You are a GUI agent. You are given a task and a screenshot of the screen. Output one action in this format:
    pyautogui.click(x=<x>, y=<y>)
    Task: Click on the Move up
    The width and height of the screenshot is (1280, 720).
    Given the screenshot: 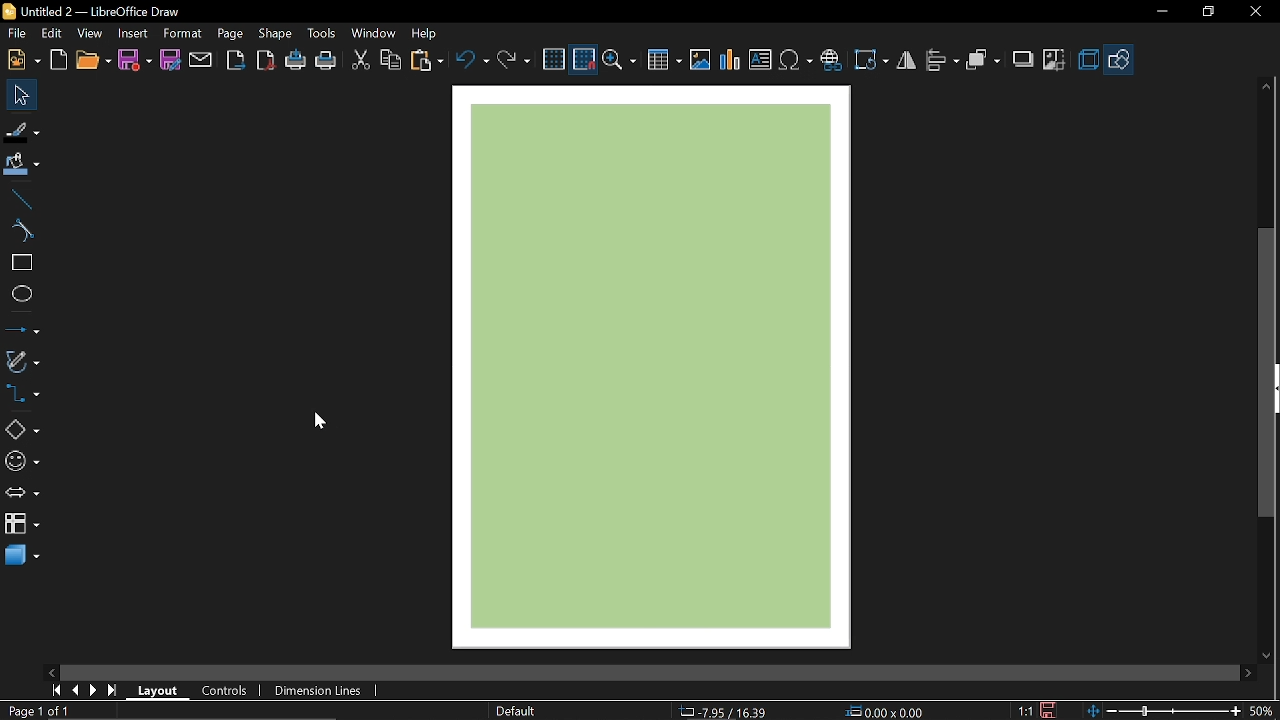 What is the action you would take?
    pyautogui.click(x=1269, y=86)
    